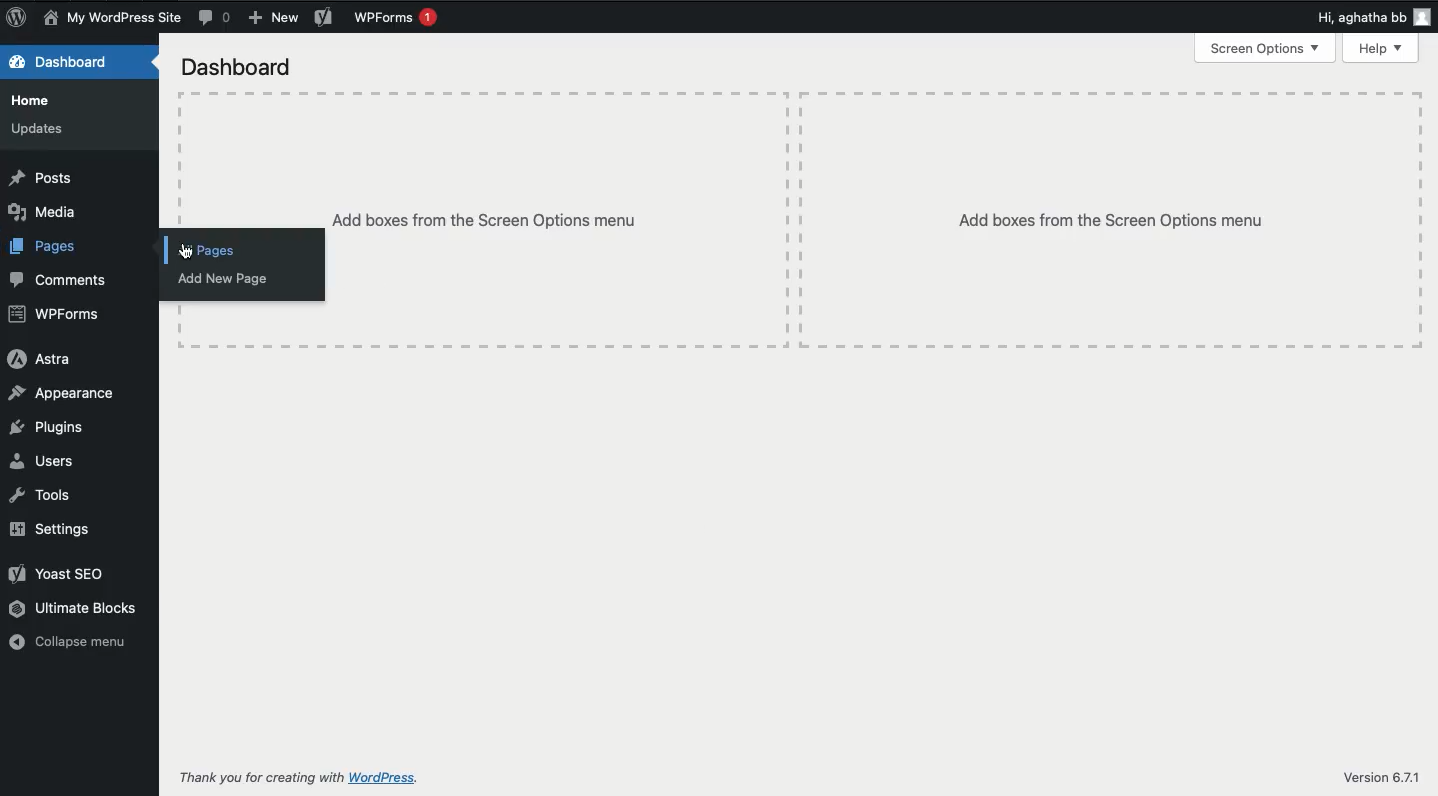  Describe the element at coordinates (41, 497) in the screenshot. I see `Tools` at that location.